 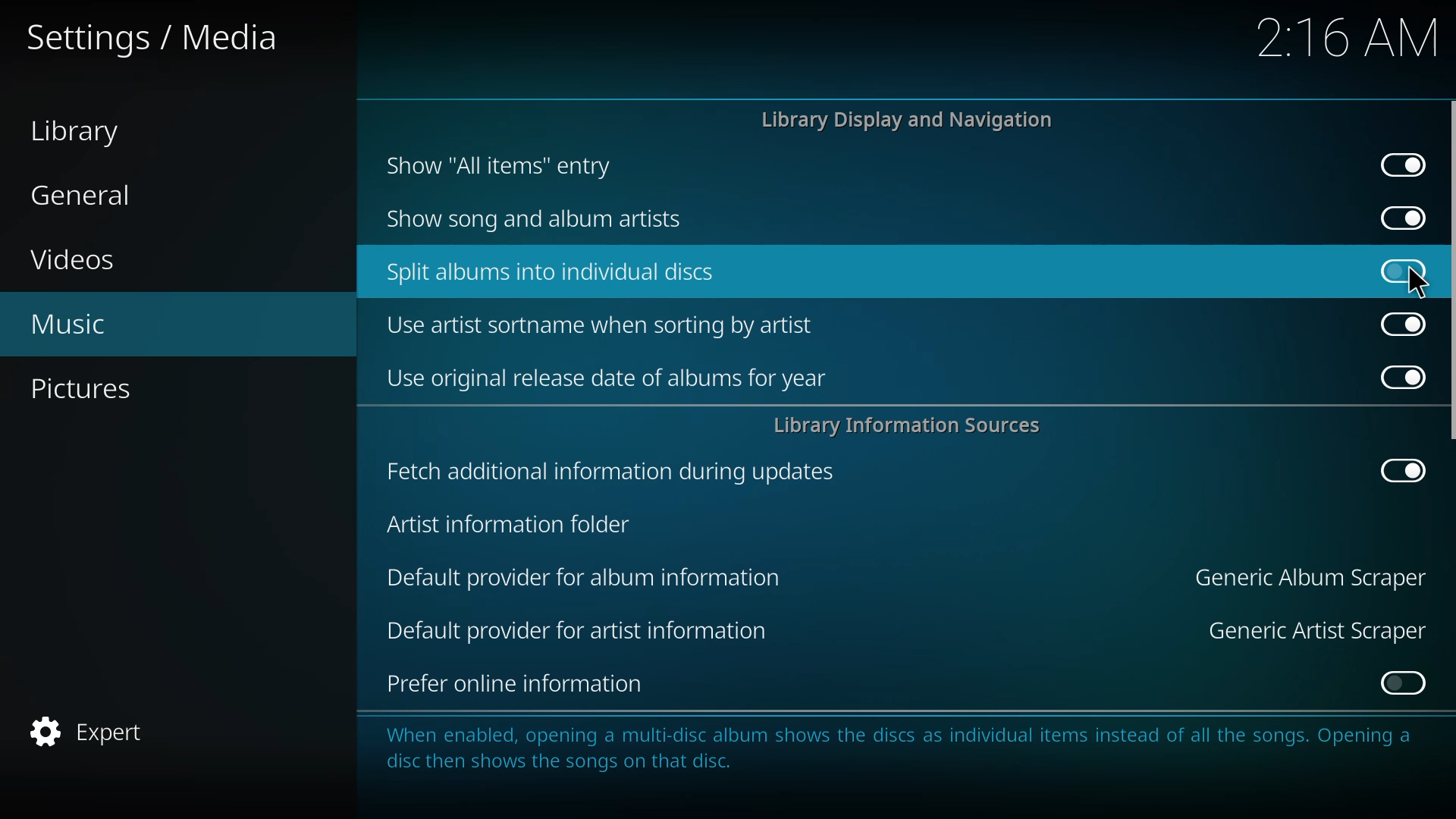 I want to click on use original release date of albums, so click(x=607, y=377).